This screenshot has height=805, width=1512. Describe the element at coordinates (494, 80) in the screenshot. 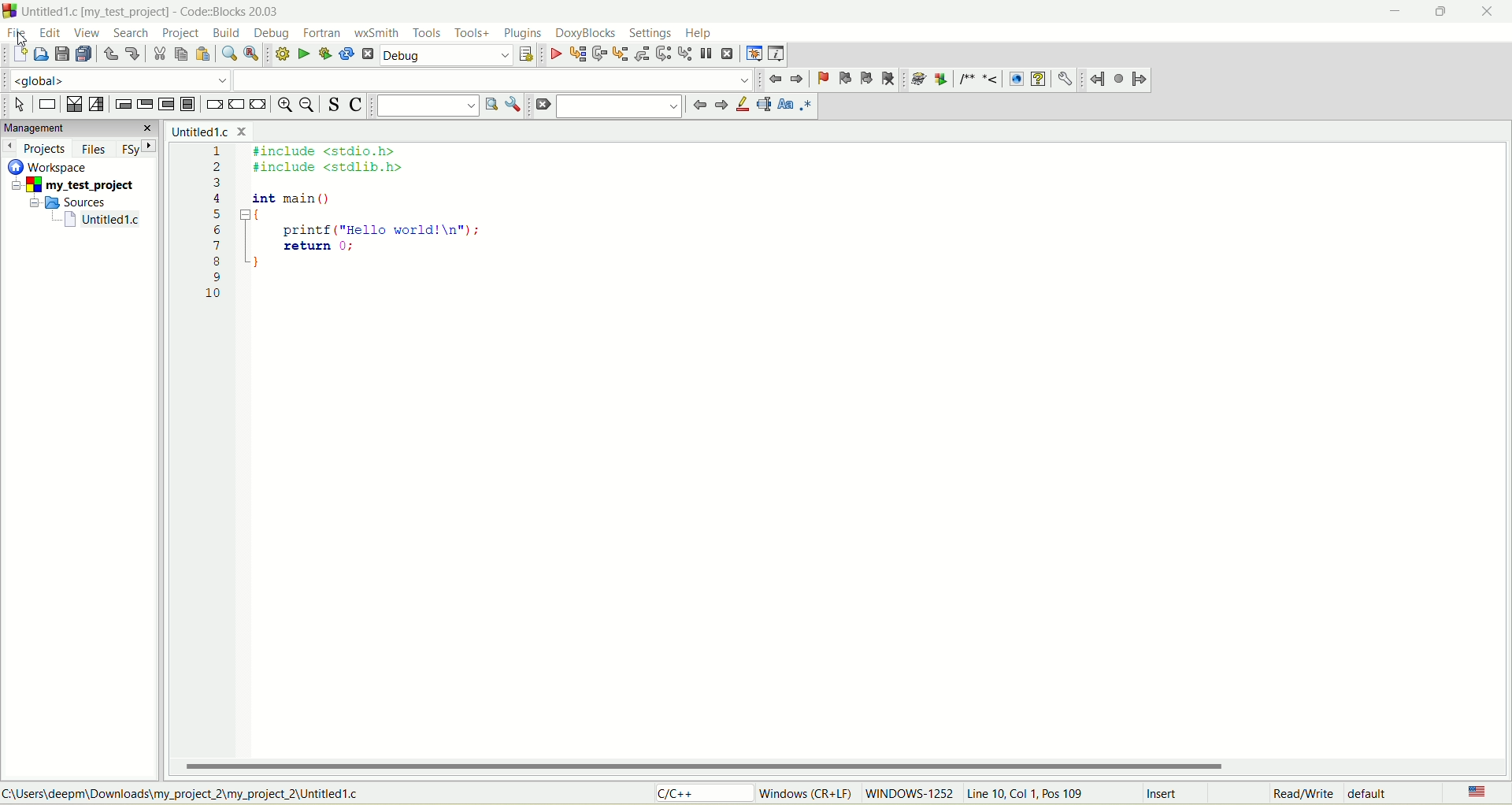

I see `blank space` at that location.